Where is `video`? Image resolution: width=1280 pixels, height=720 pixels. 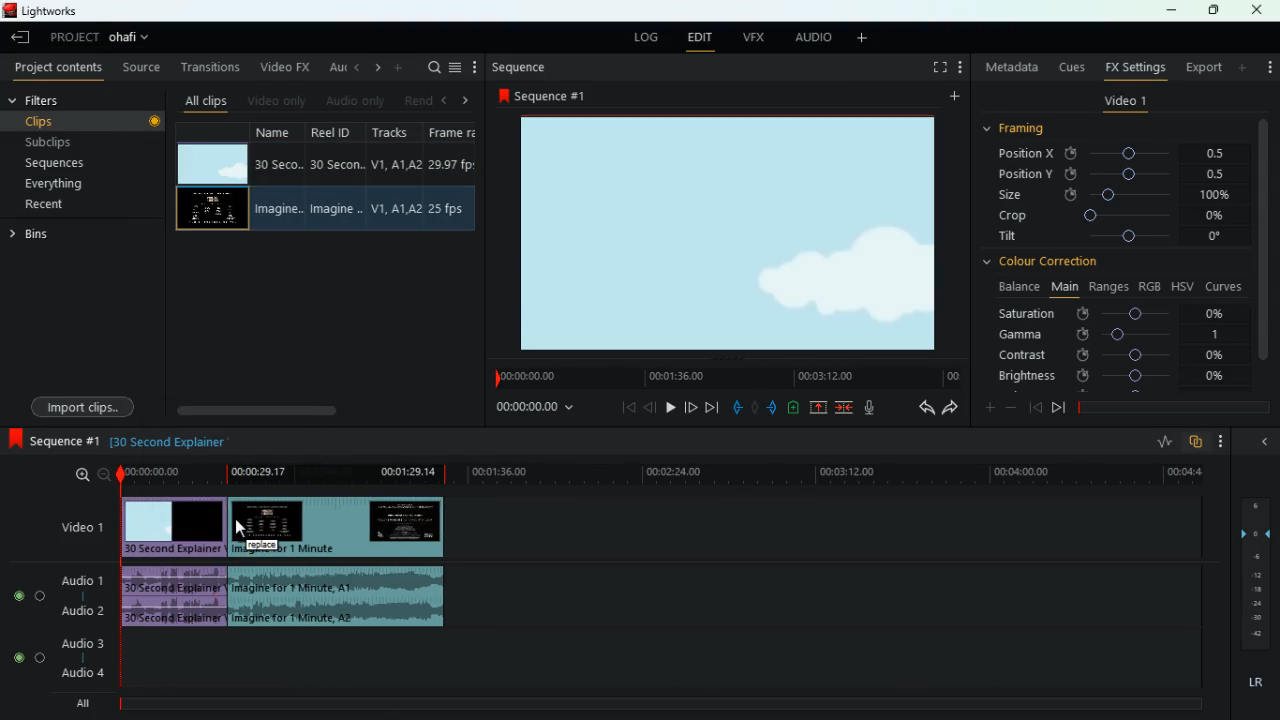 video is located at coordinates (210, 211).